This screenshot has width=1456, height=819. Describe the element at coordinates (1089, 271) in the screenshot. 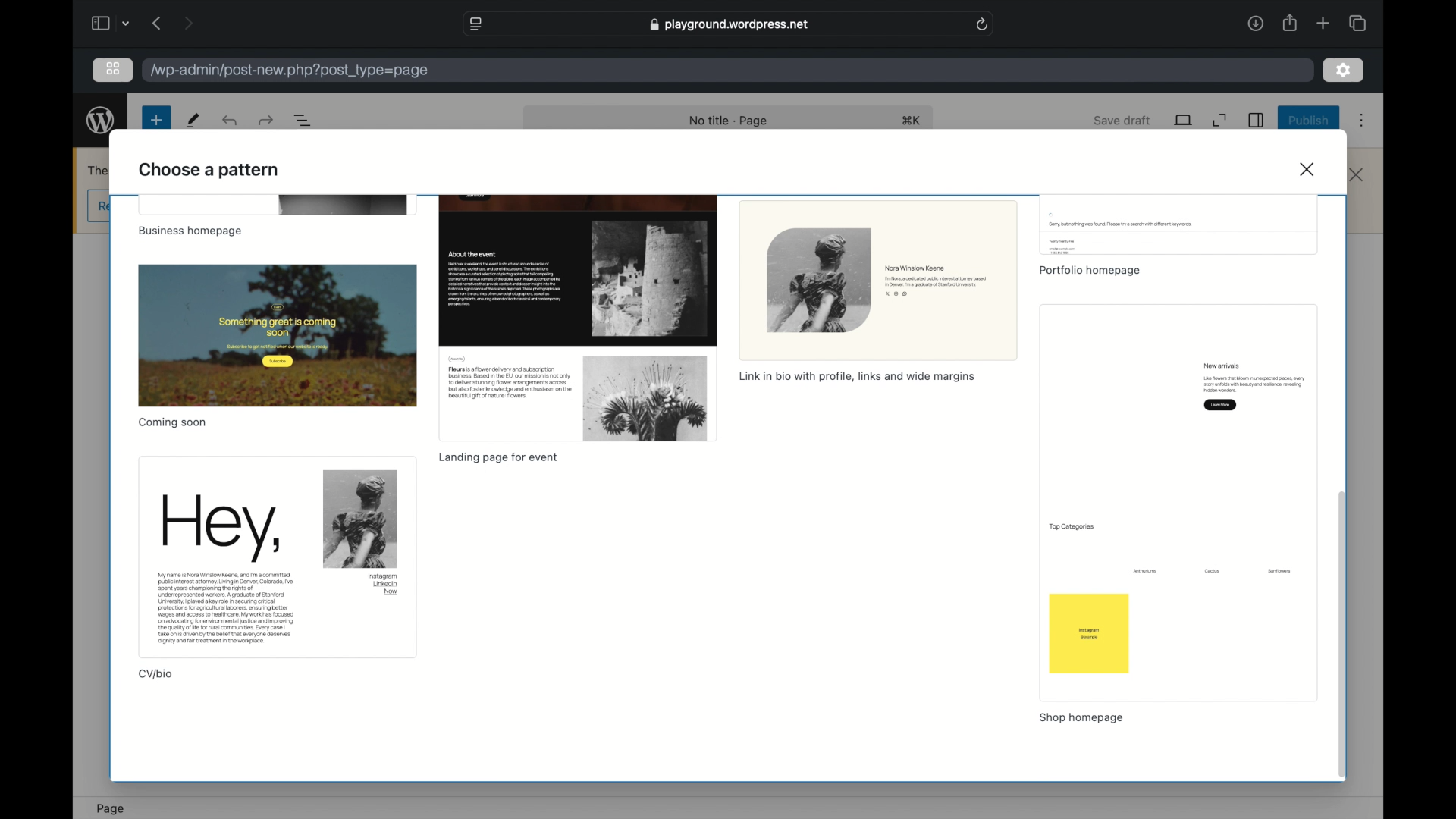

I see `portfolio homepage` at that location.